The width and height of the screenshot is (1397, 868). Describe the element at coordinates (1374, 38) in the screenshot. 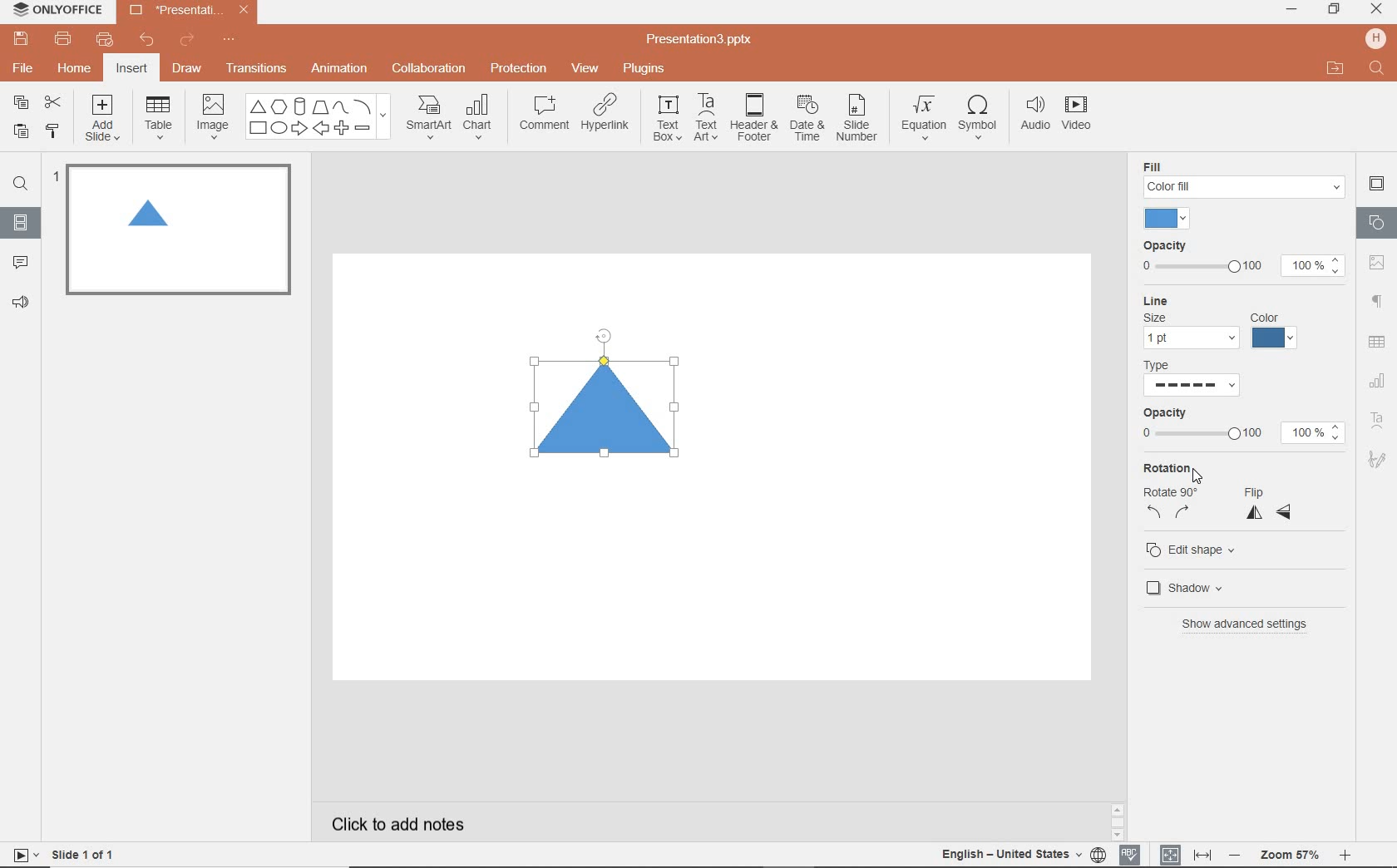

I see `profile` at that location.